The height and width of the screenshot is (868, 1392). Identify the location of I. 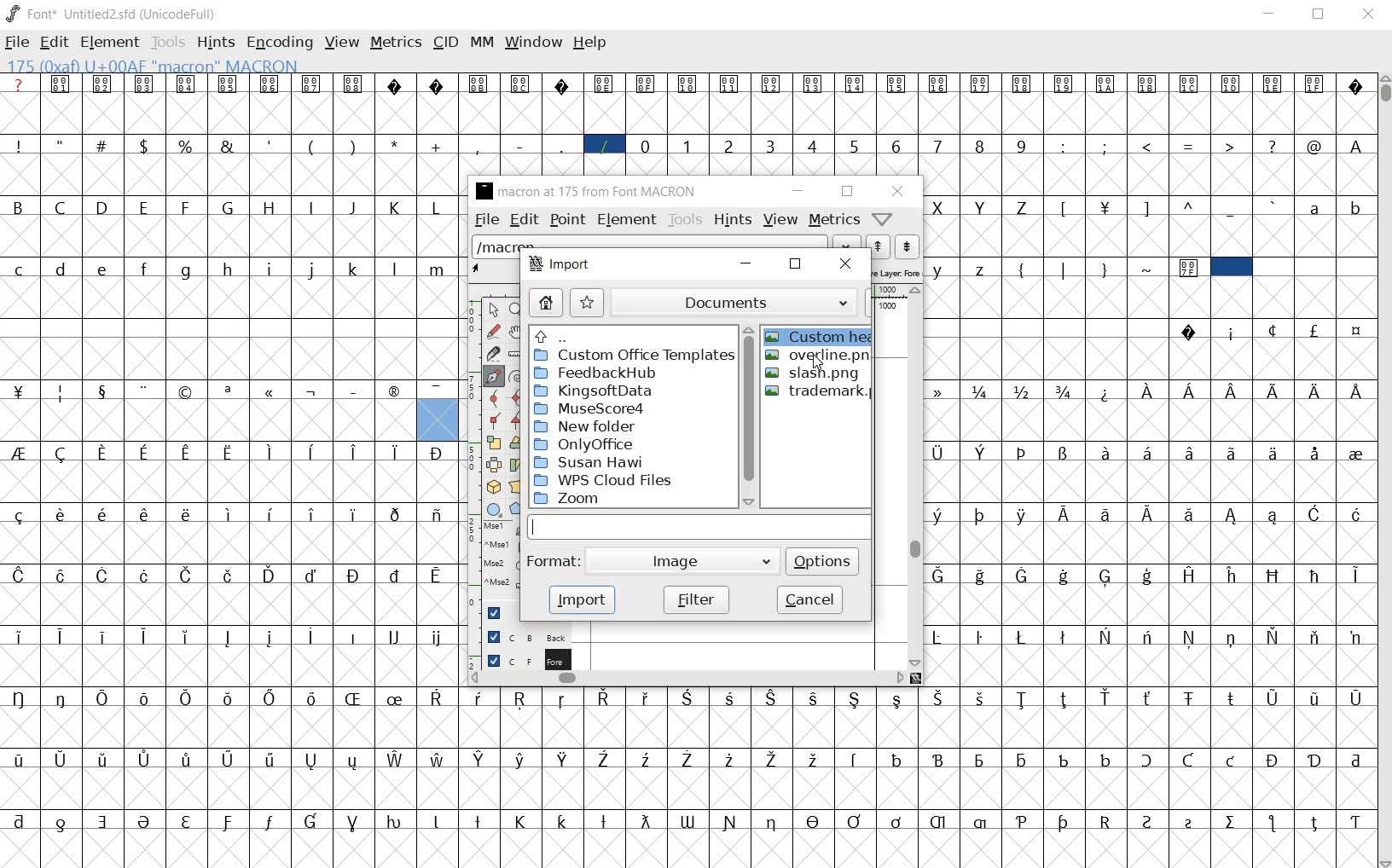
(313, 206).